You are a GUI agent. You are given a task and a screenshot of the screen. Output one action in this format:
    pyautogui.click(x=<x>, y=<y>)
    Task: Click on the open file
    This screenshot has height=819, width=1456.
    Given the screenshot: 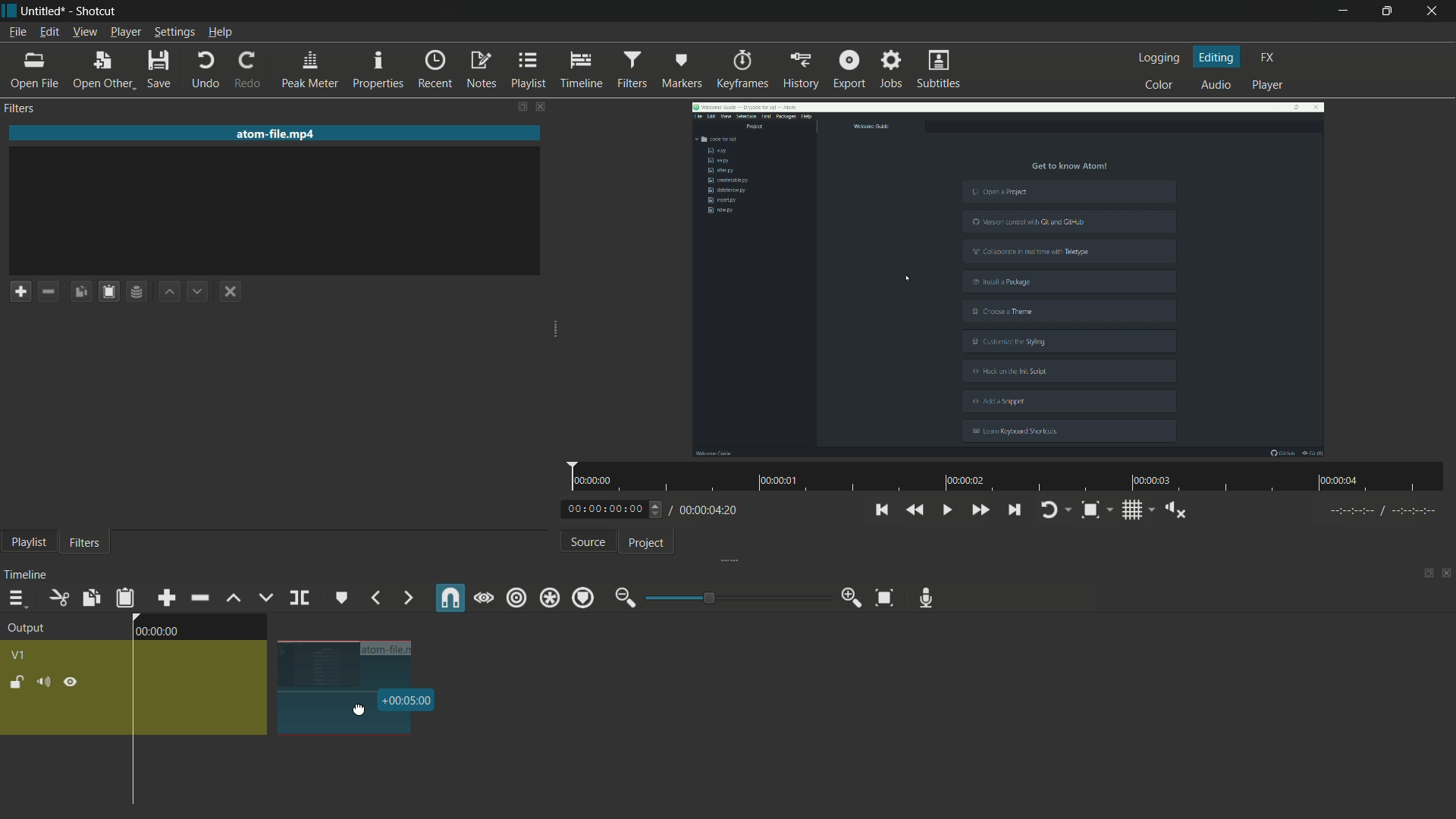 What is the action you would take?
    pyautogui.click(x=33, y=71)
    